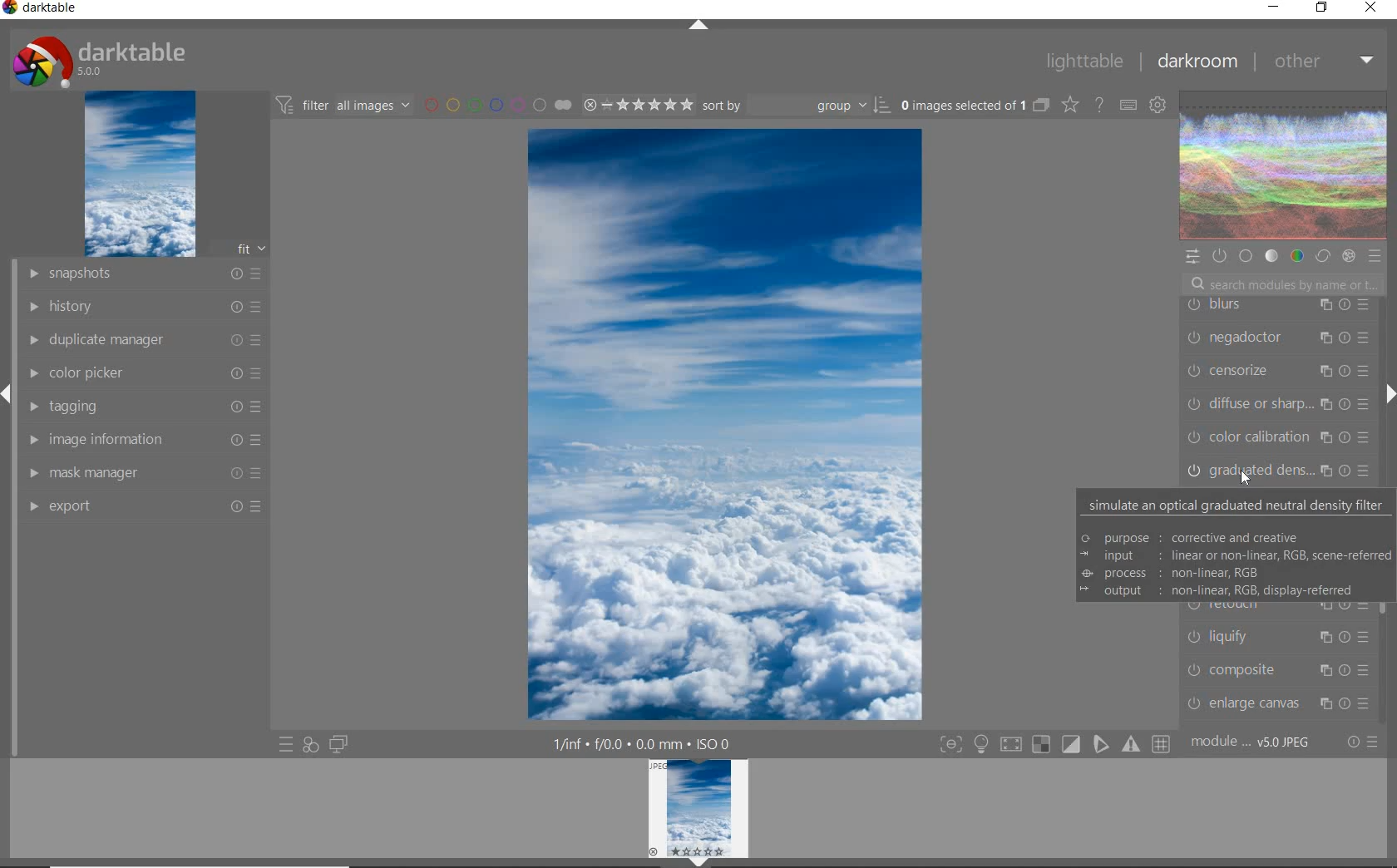  I want to click on TOGGLE MODES, so click(1054, 747).